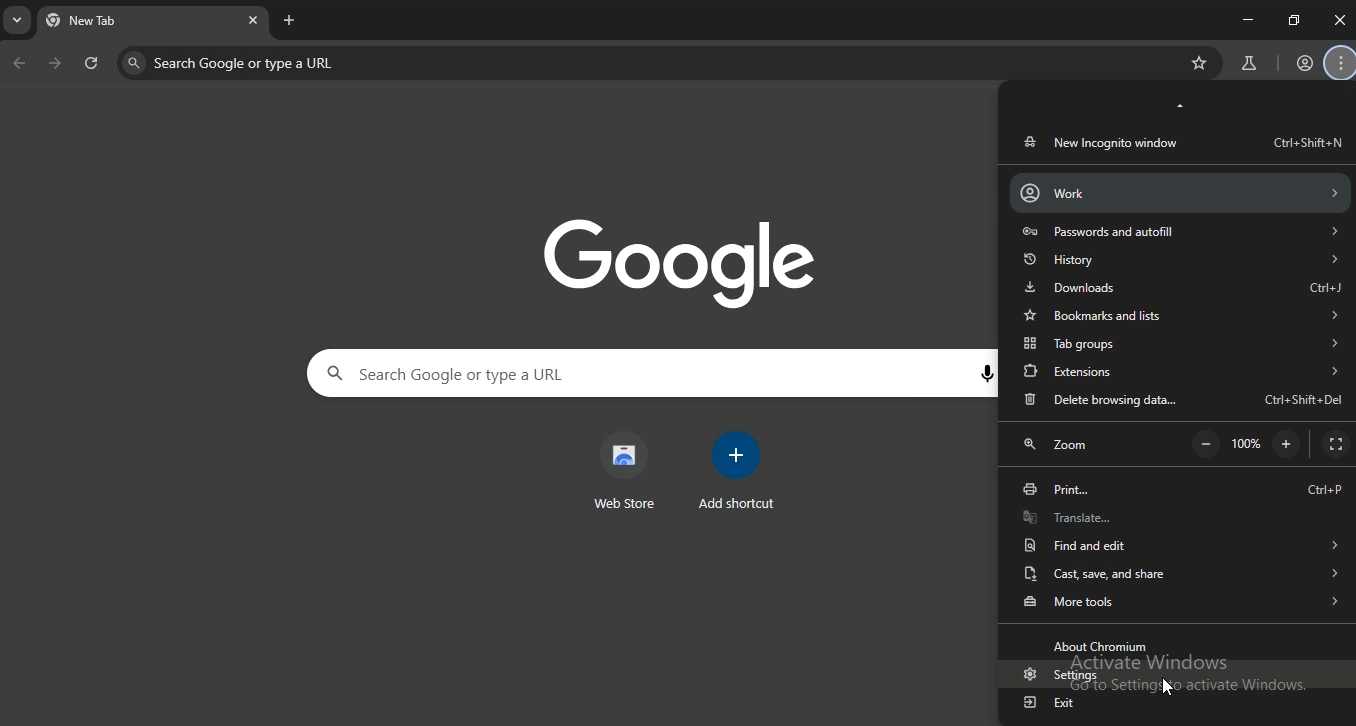  What do you see at coordinates (1180, 600) in the screenshot?
I see `more tools` at bounding box center [1180, 600].